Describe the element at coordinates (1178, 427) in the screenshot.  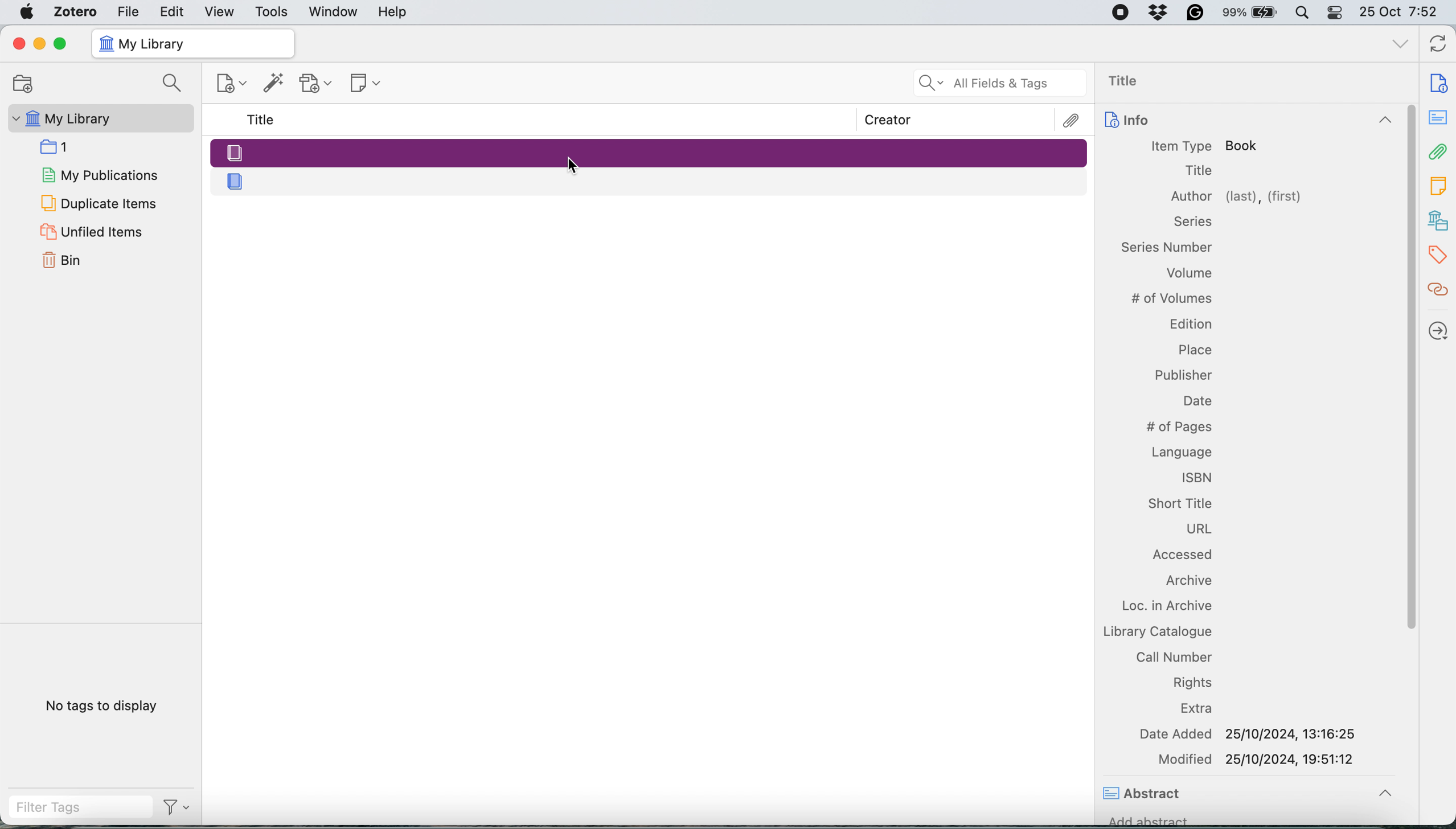
I see `# of Pages` at that location.